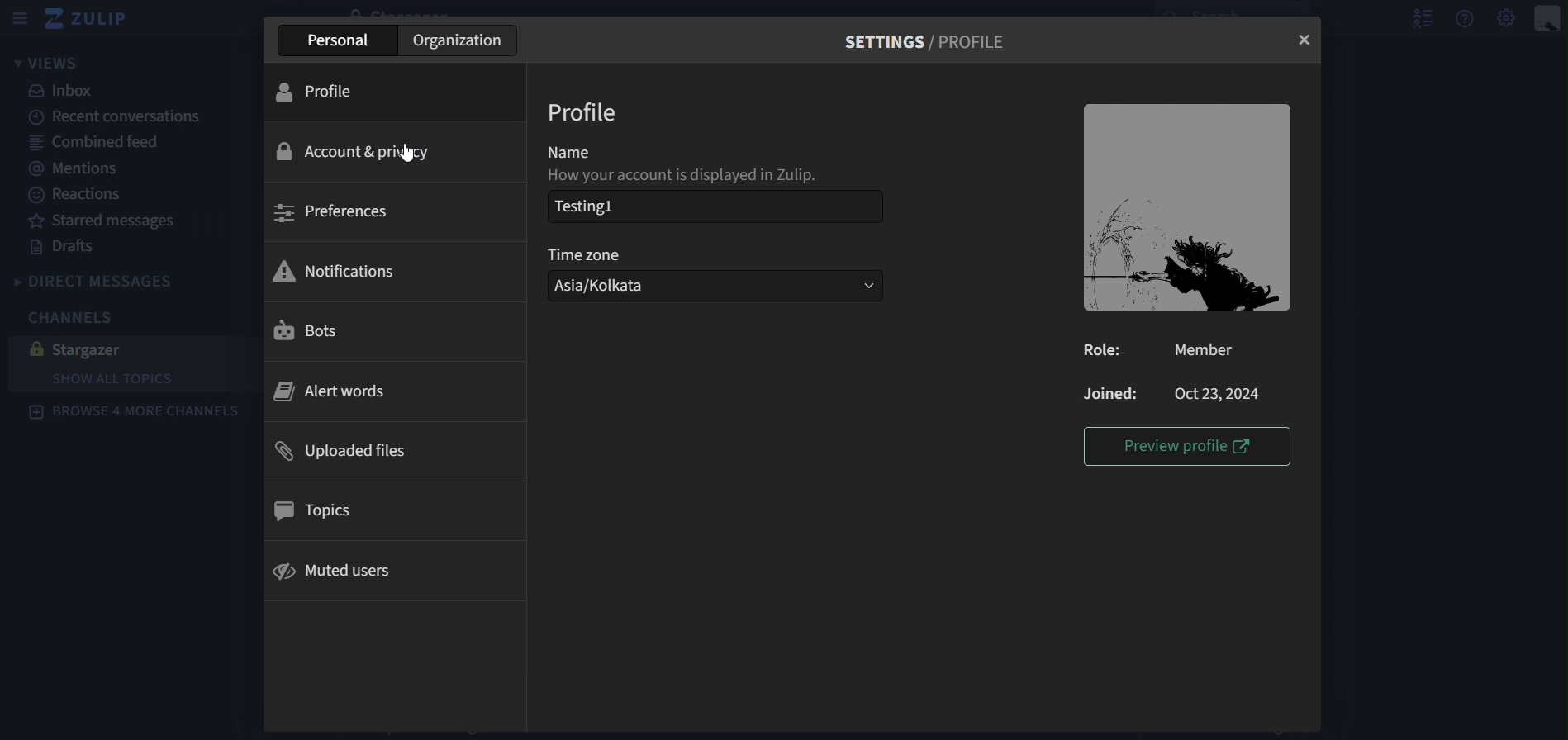 The image size is (1568, 740). Describe the element at coordinates (120, 116) in the screenshot. I see `recent canversations` at that location.